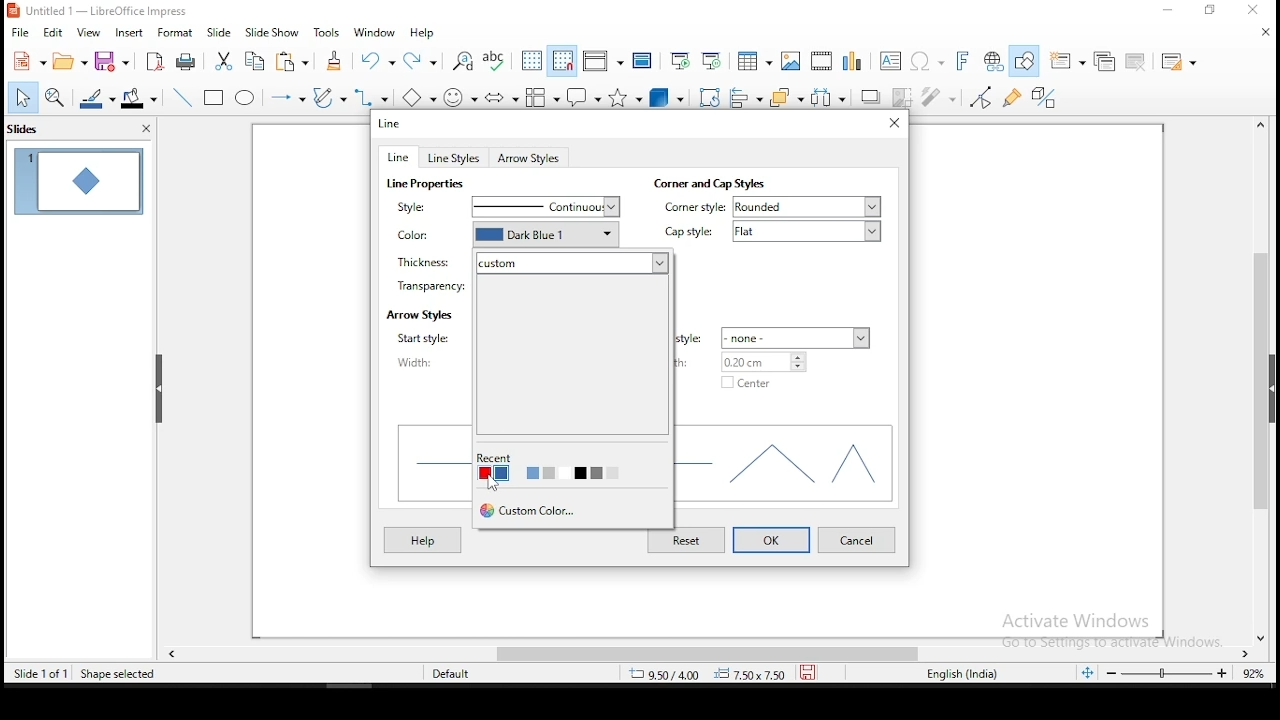  What do you see at coordinates (871, 96) in the screenshot?
I see `shadow` at bounding box center [871, 96].